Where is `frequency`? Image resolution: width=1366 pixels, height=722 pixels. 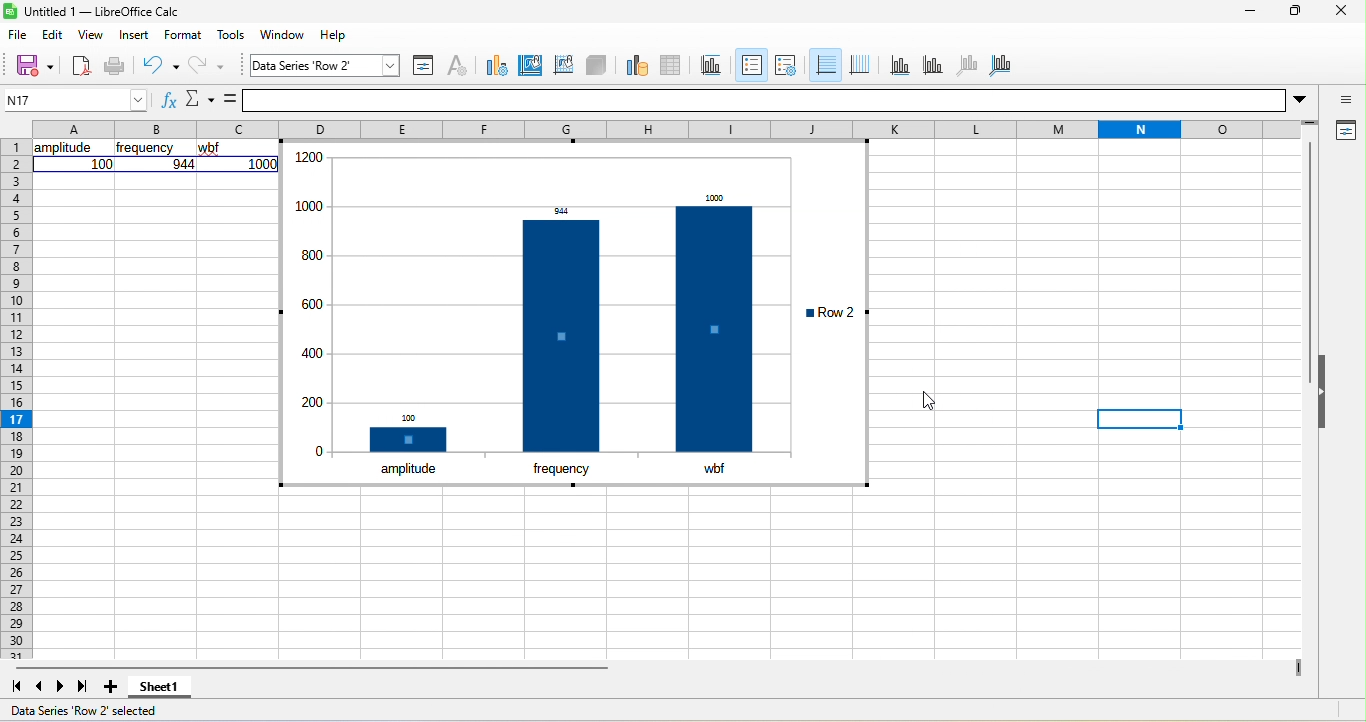 frequency is located at coordinates (560, 466).